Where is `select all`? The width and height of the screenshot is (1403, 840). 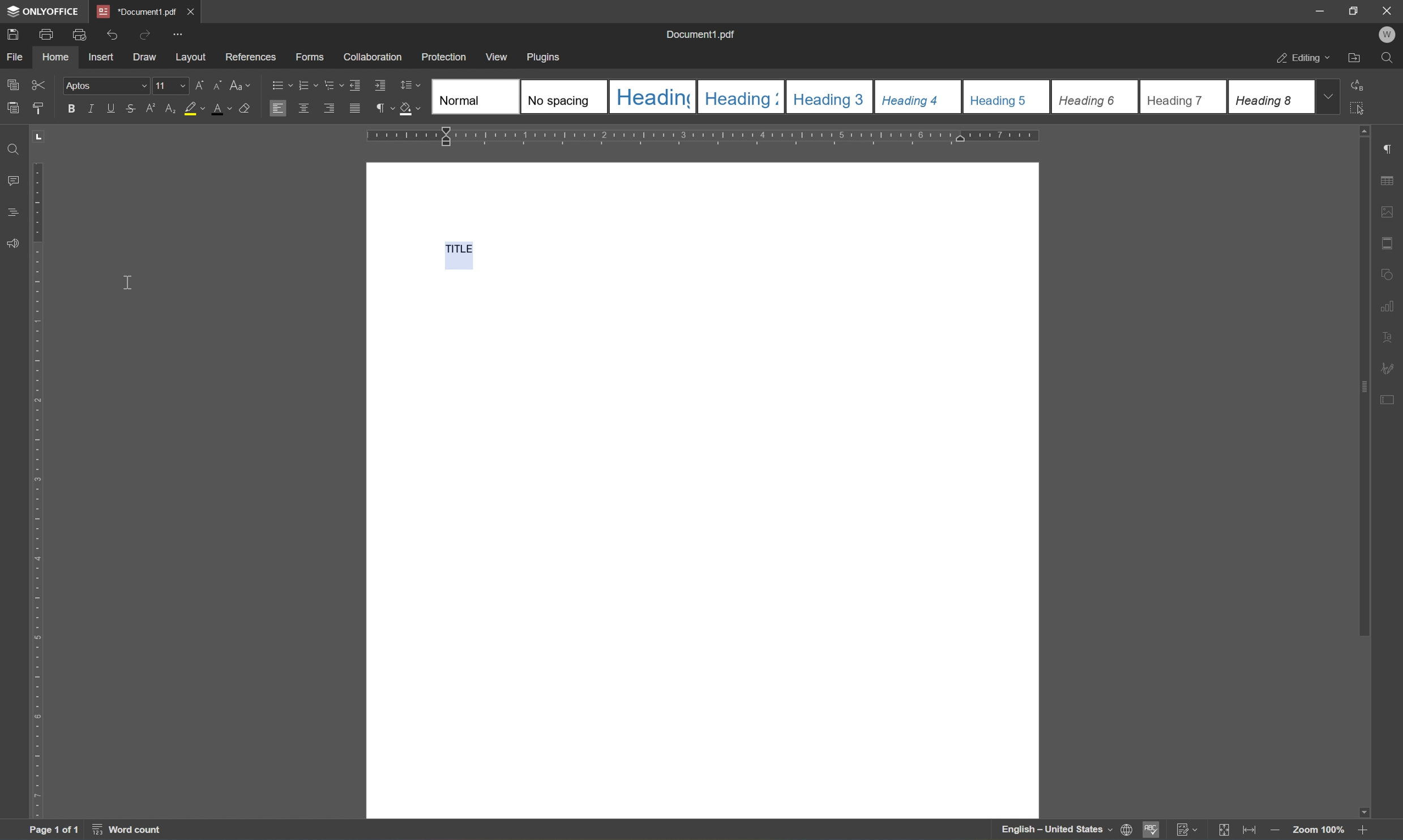 select all is located at coordinates (1358, 109).